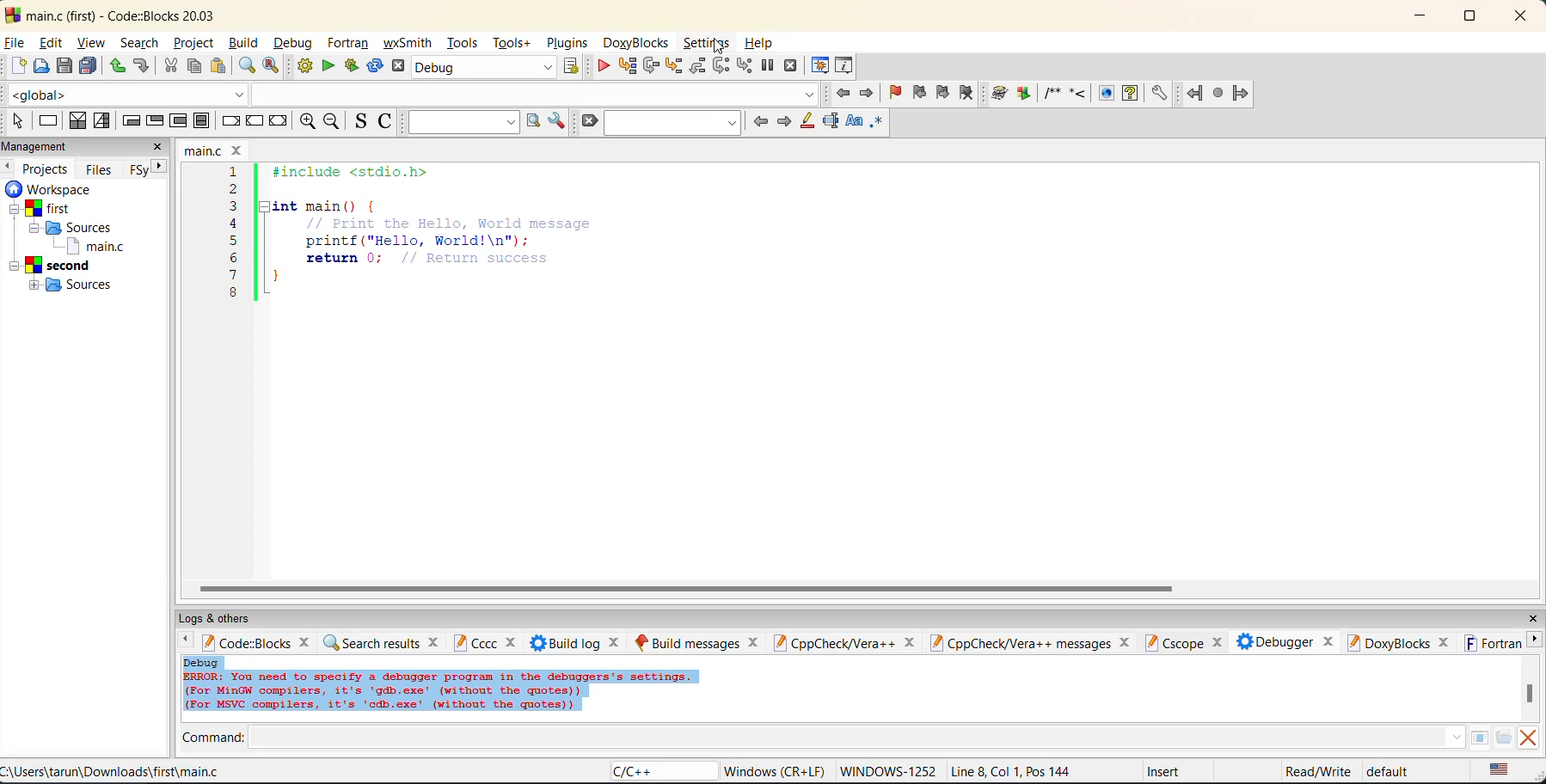 The width and height of the screenshot is (1546, 784). Describe the element at coordinates (641, 770) in the screenshot. I see `C/C++` at that location.